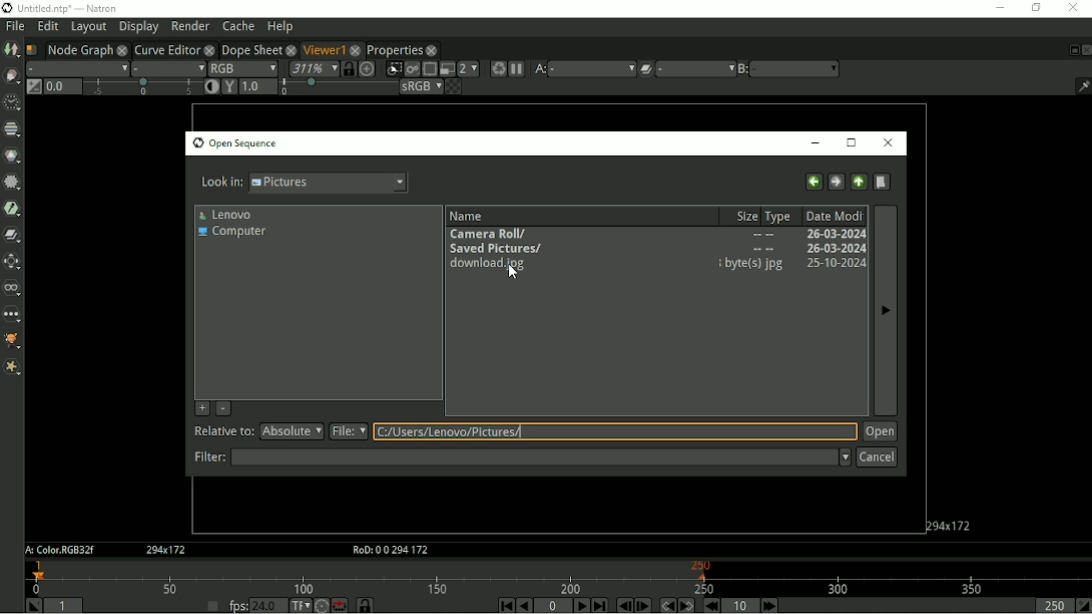  I want to click on Layer, so click(76, 68).